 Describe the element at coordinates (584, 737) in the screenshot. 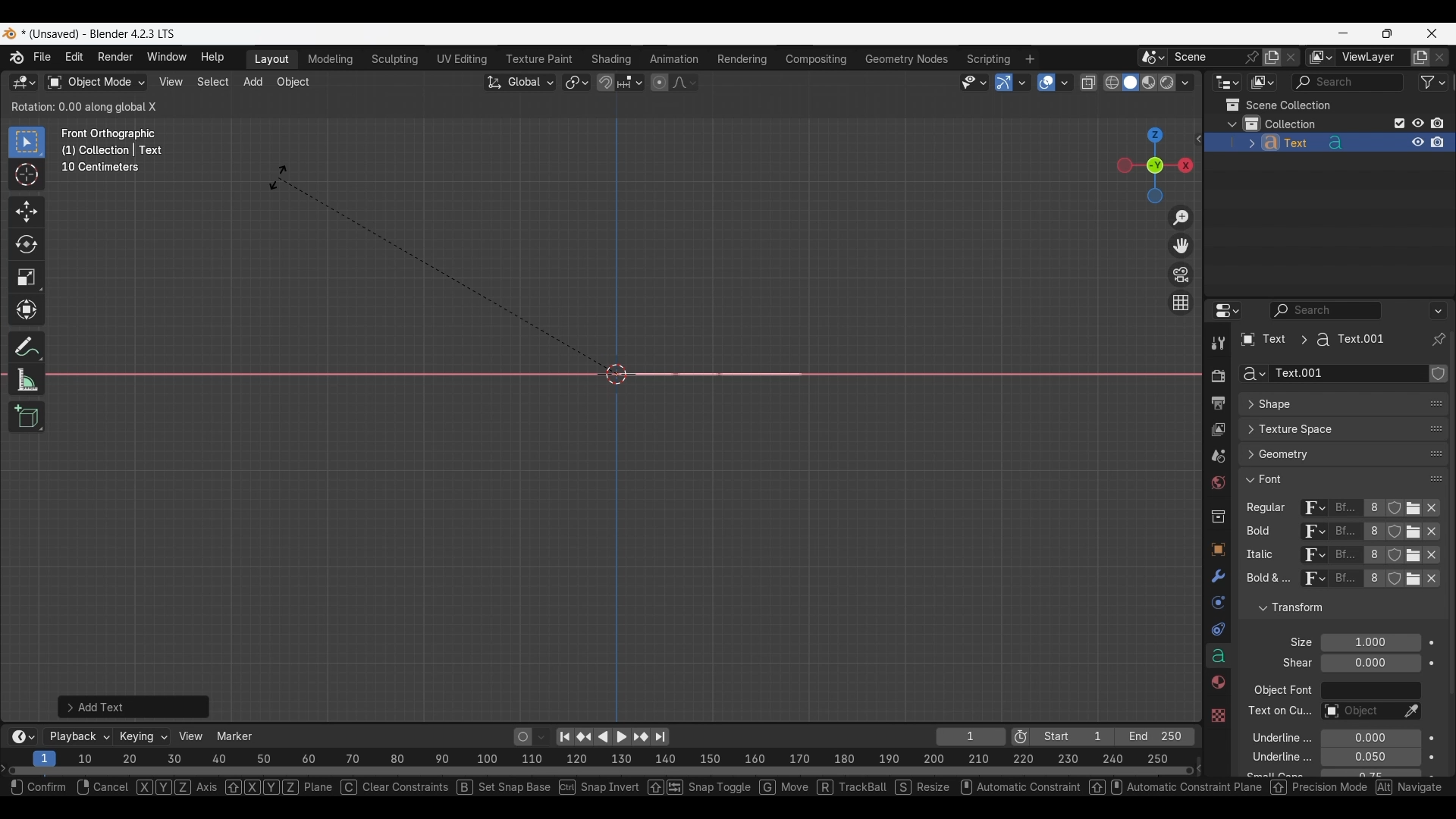

I see `Jump to key frame` at that location.